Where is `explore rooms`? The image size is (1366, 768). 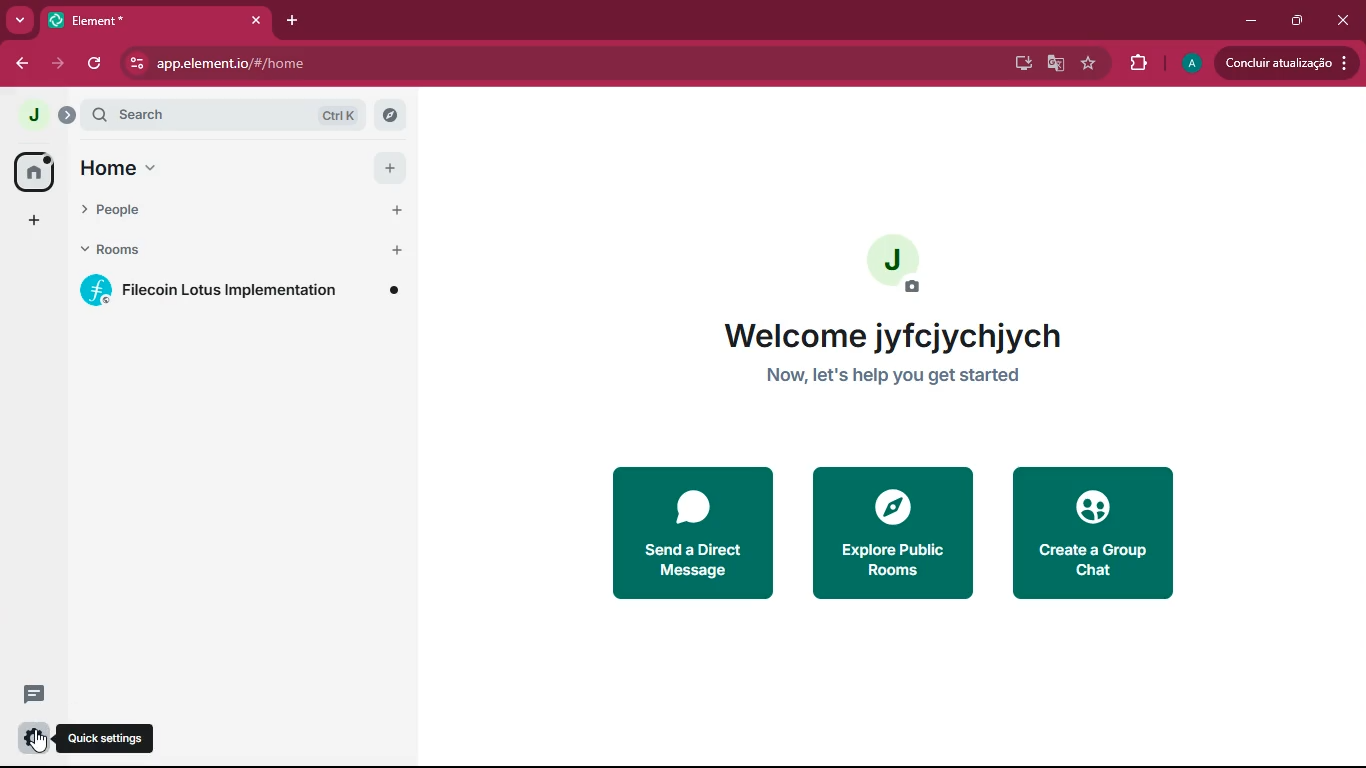
explore rooms is located at coordinates (389, 113).